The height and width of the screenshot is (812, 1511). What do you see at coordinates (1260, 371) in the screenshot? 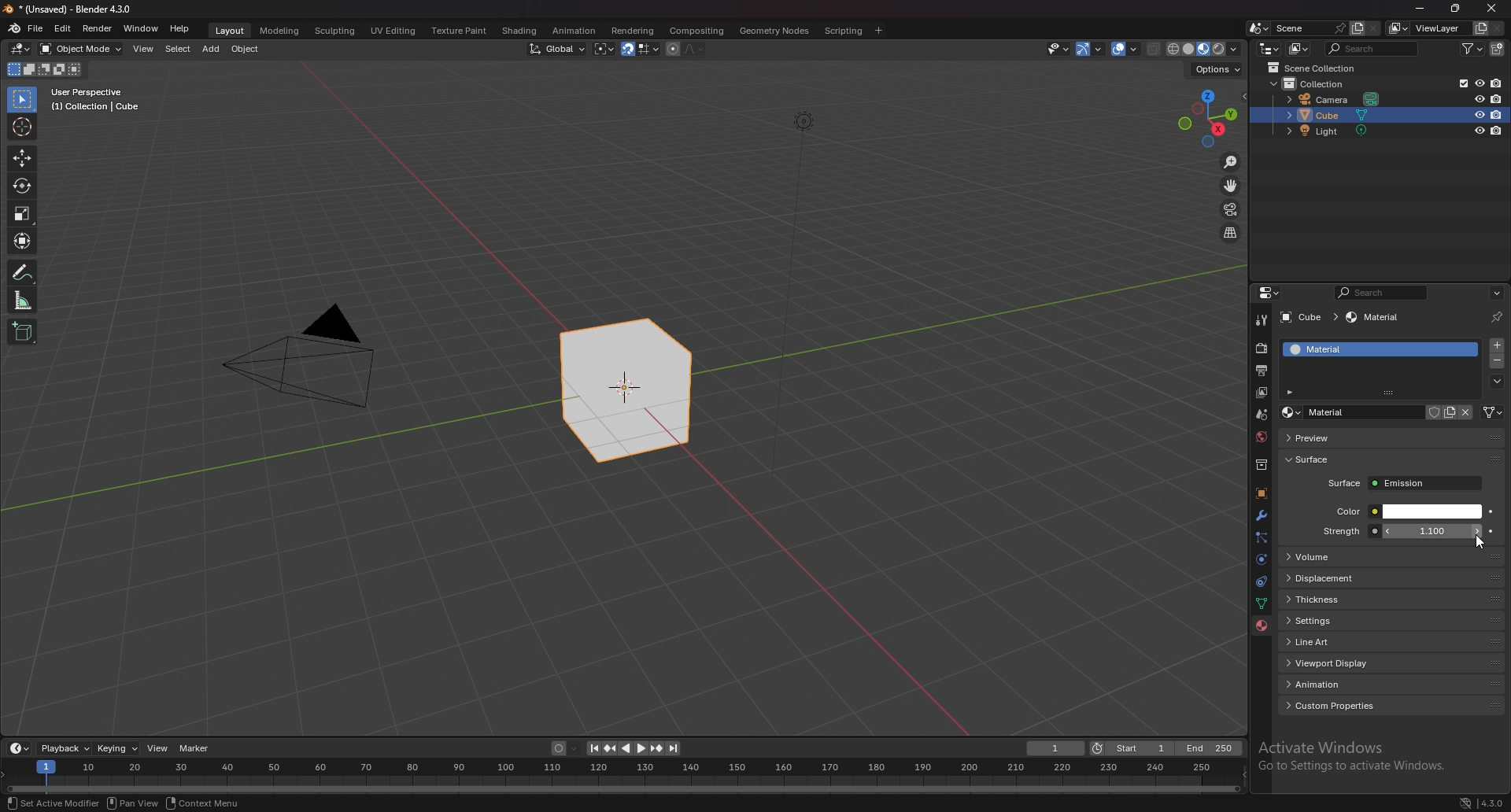
I see `output` at bounding box center [1260, 371].